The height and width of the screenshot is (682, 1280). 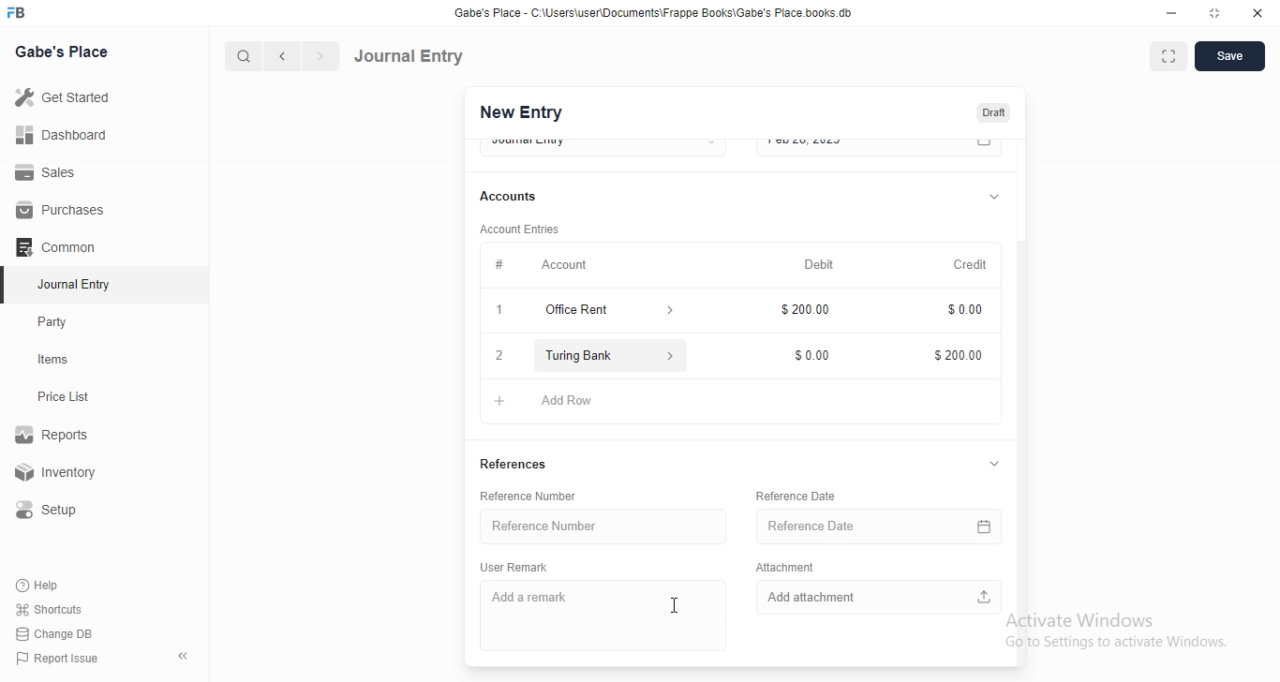 I want to click on Help, so click(x=41, y=585).